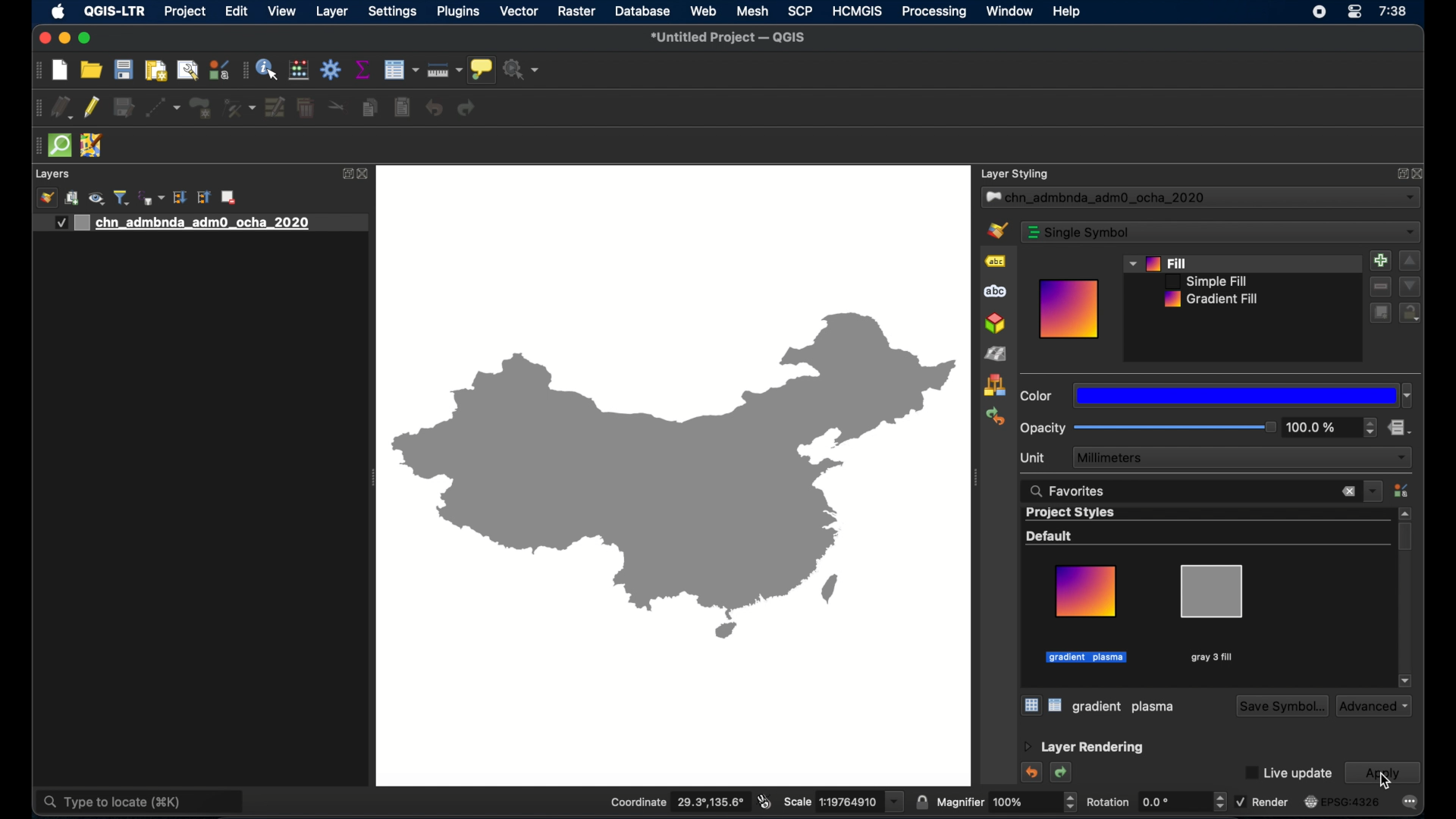 The height and width of the screenshot is (819, 1456). What do you see at coordinates (1207, 281) in the screenshot?
I see `simple fill` at bounding box center [1207, 281].